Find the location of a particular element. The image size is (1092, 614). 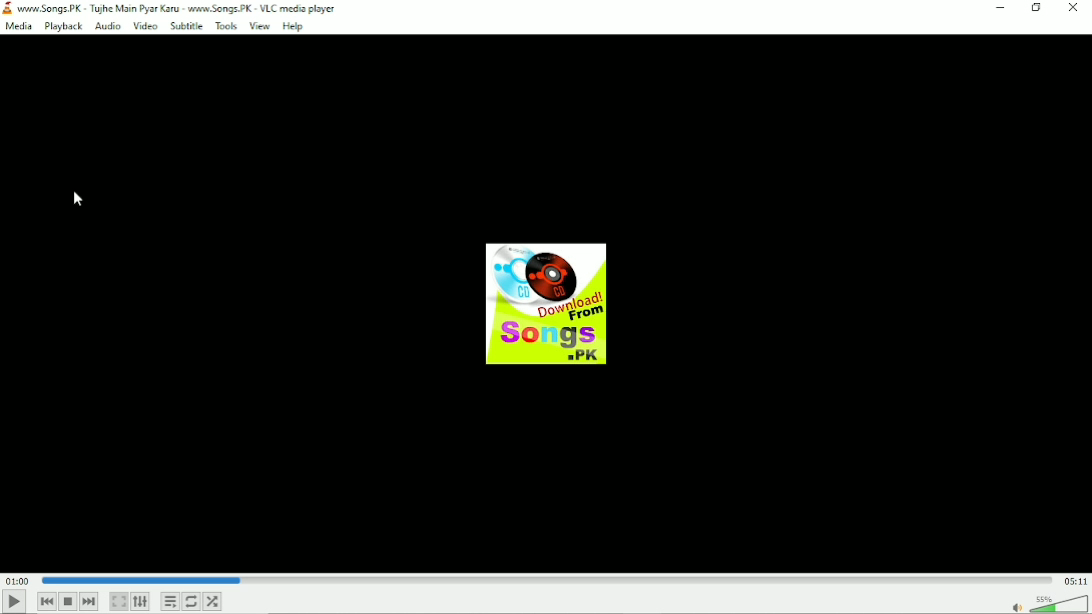

Tools is located at coordinates (226, 26).